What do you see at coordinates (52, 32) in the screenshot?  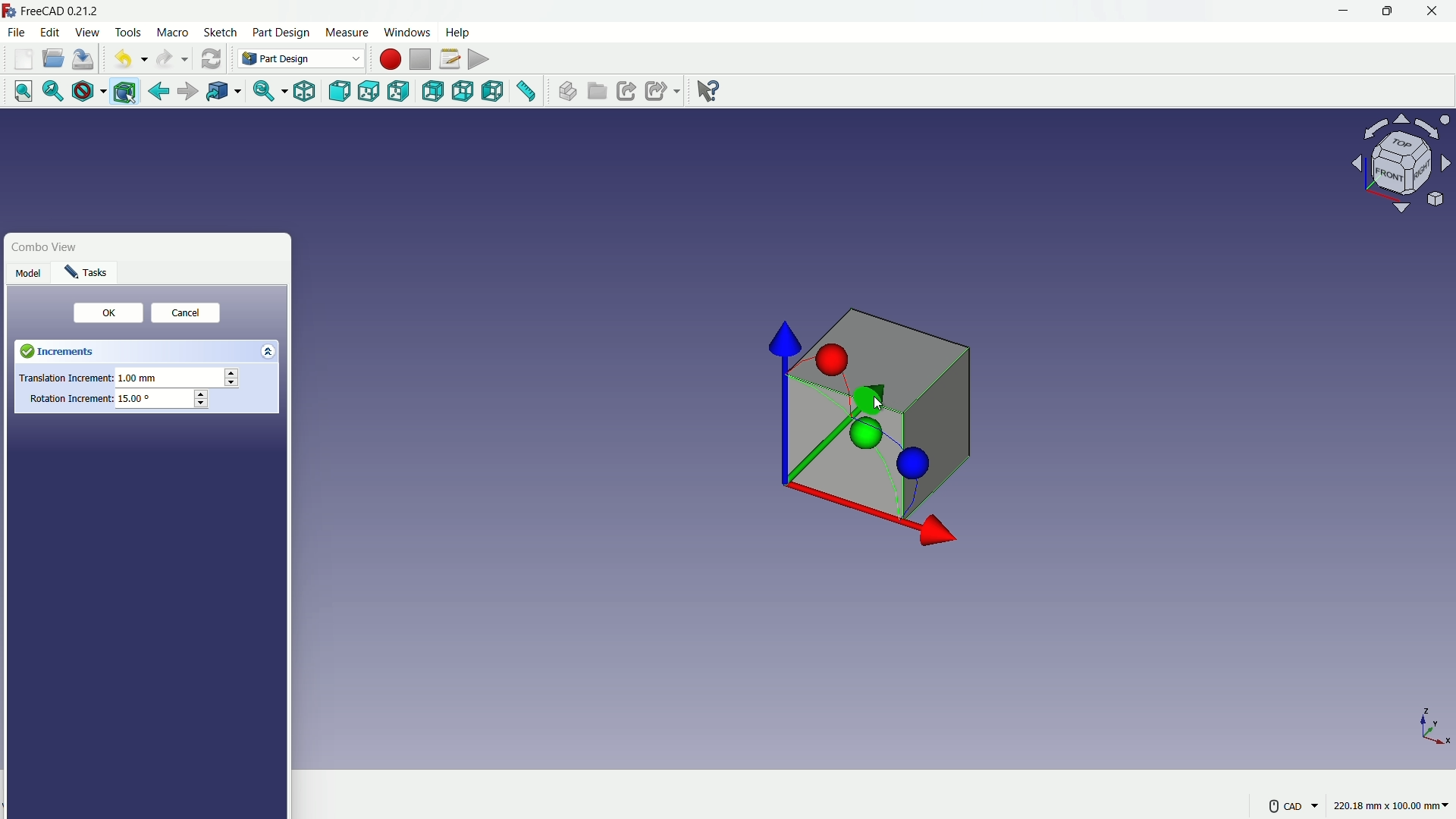 I see `edit` at bounding box center [52, 32].